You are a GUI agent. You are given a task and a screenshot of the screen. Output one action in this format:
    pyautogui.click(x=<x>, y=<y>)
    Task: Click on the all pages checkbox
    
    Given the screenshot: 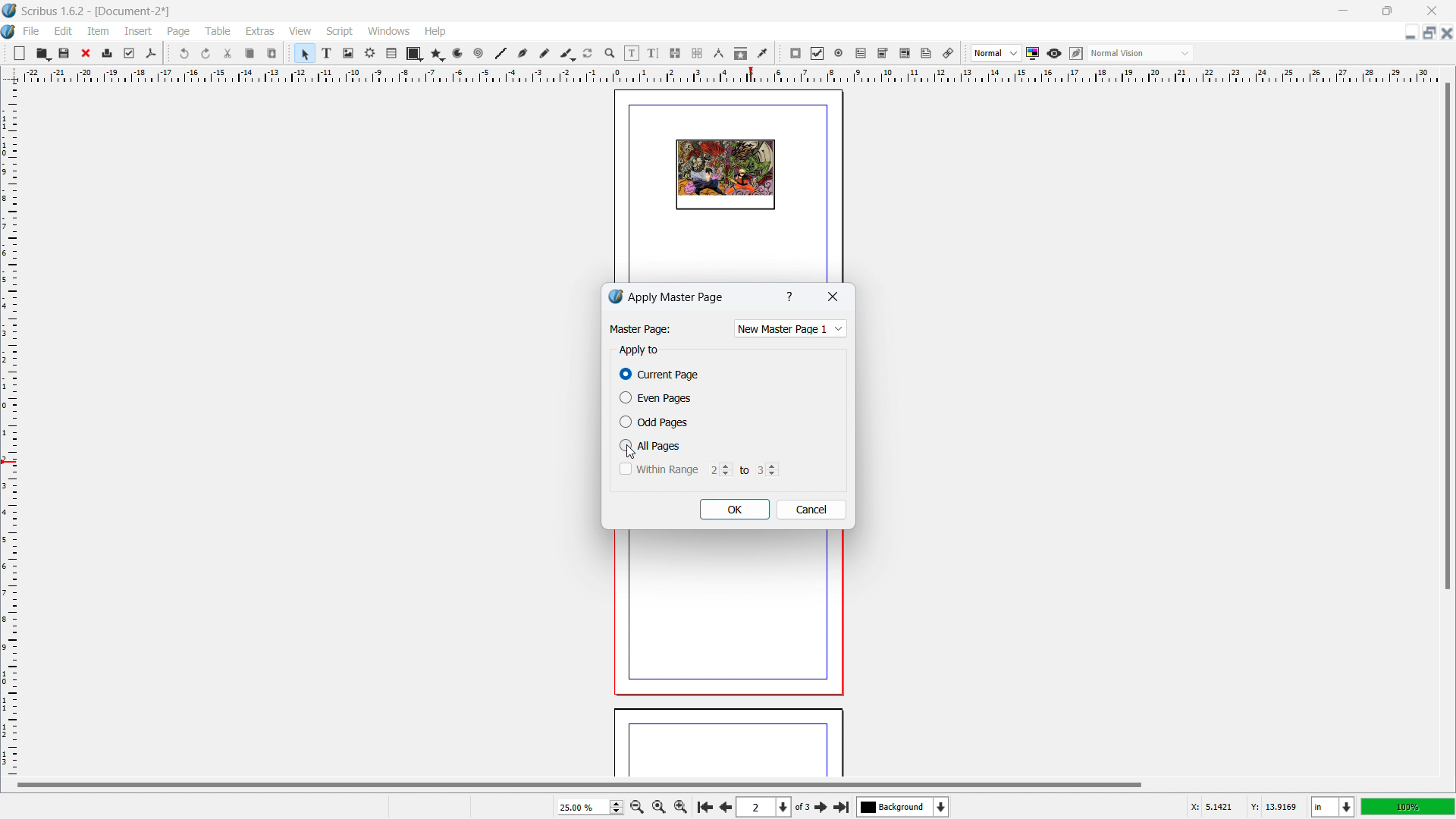 What is the action you would take?
    pyautogui.click(x=652, y=445)
    